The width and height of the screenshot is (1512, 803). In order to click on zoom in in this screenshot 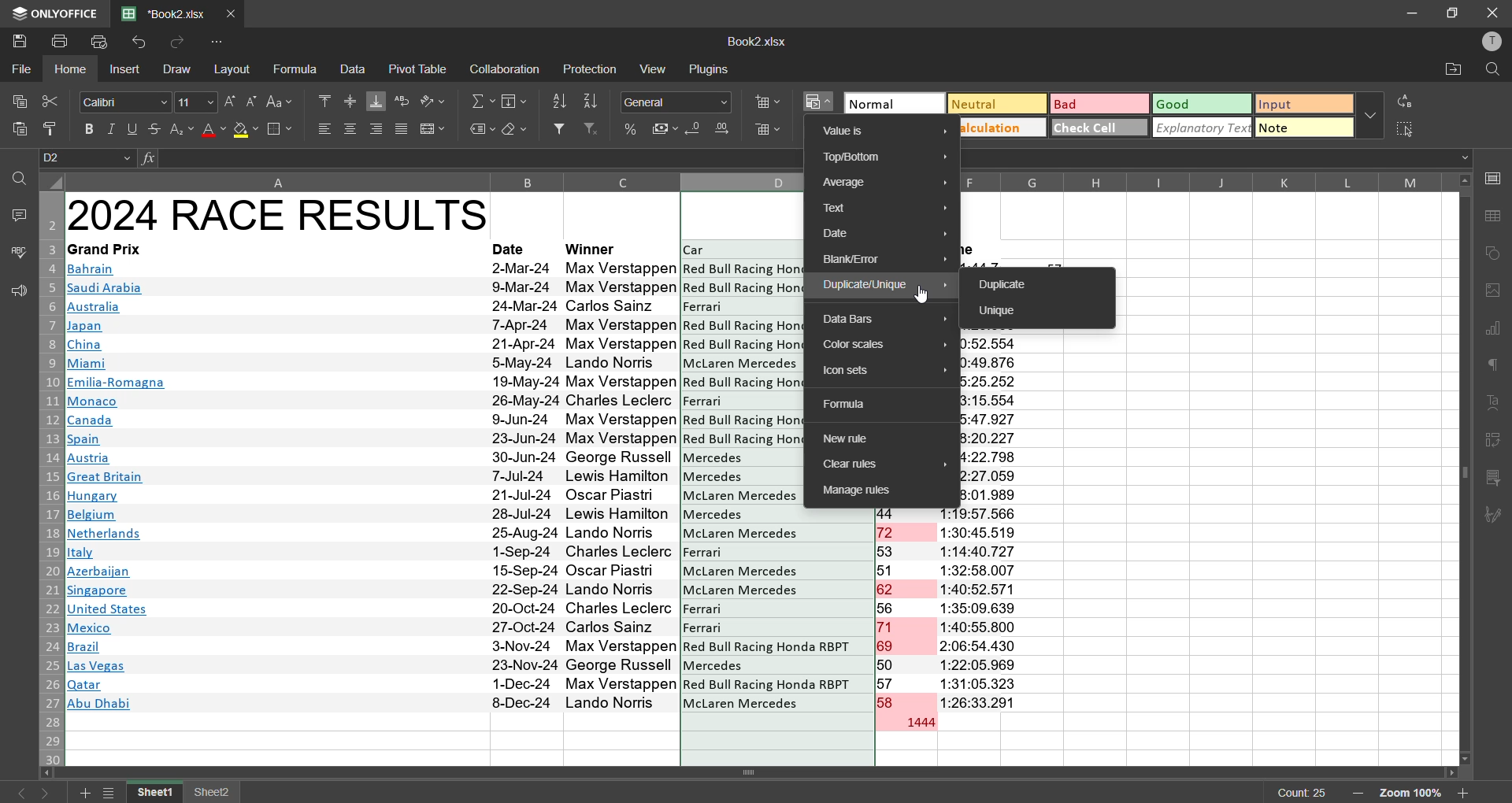, I will do `click(1356, 794)`.